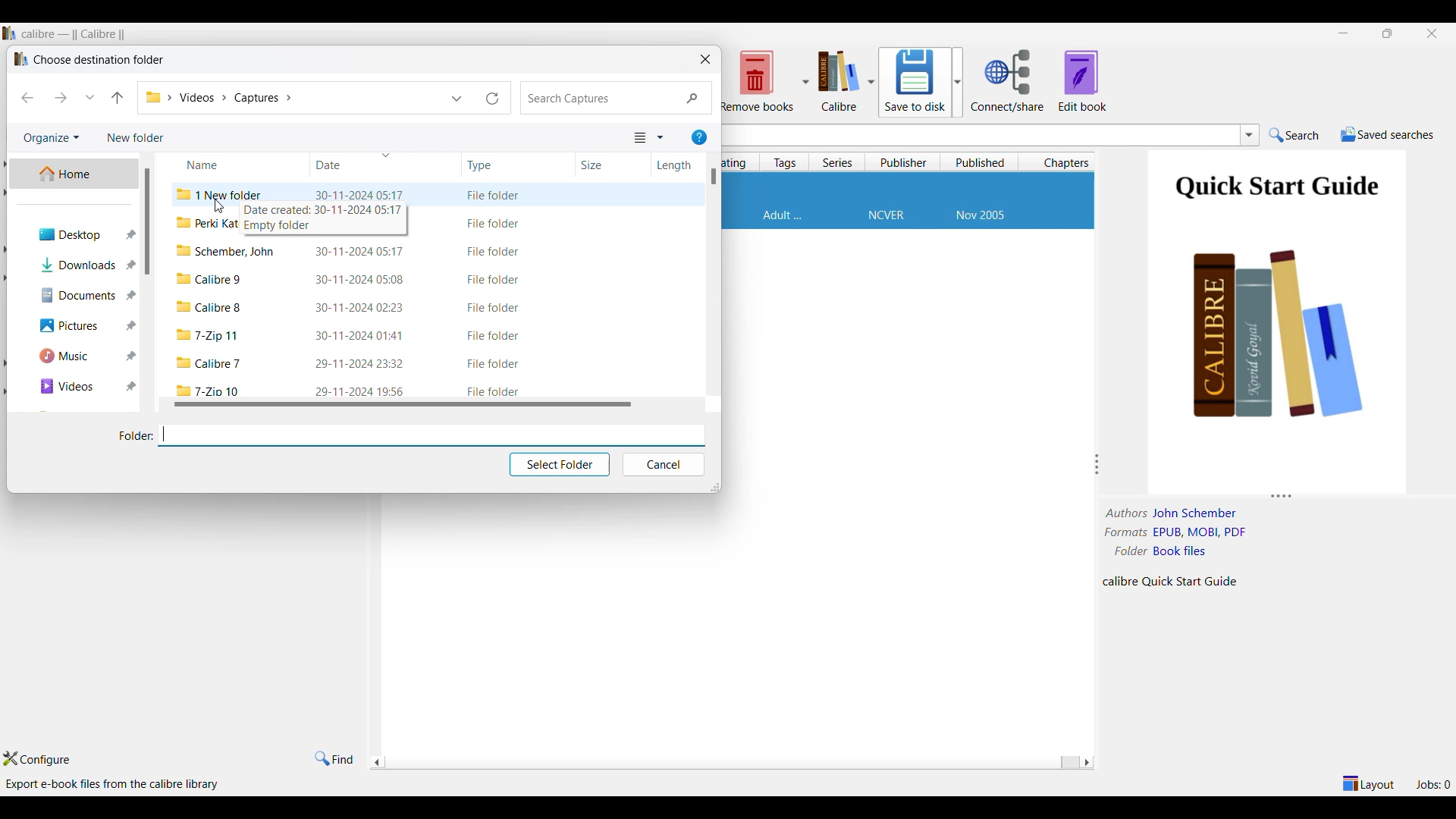  What do you see at coordinates (115, 784) in the screenshot?
I see `Description of current selection by cursor` at bounding box center [115, 784].